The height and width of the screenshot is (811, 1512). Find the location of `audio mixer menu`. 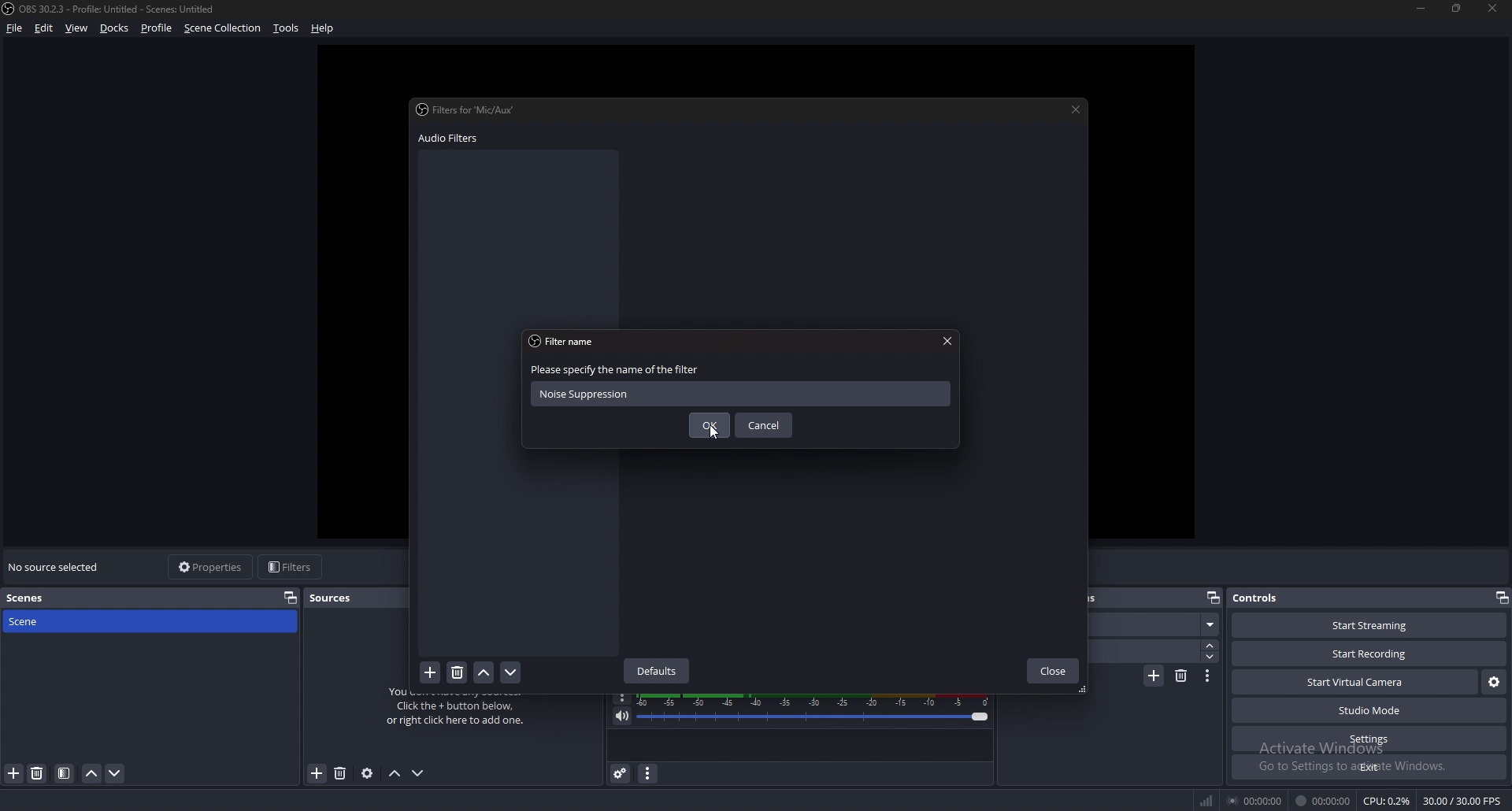

audio mixer menu is located at coordinates (648, 775).